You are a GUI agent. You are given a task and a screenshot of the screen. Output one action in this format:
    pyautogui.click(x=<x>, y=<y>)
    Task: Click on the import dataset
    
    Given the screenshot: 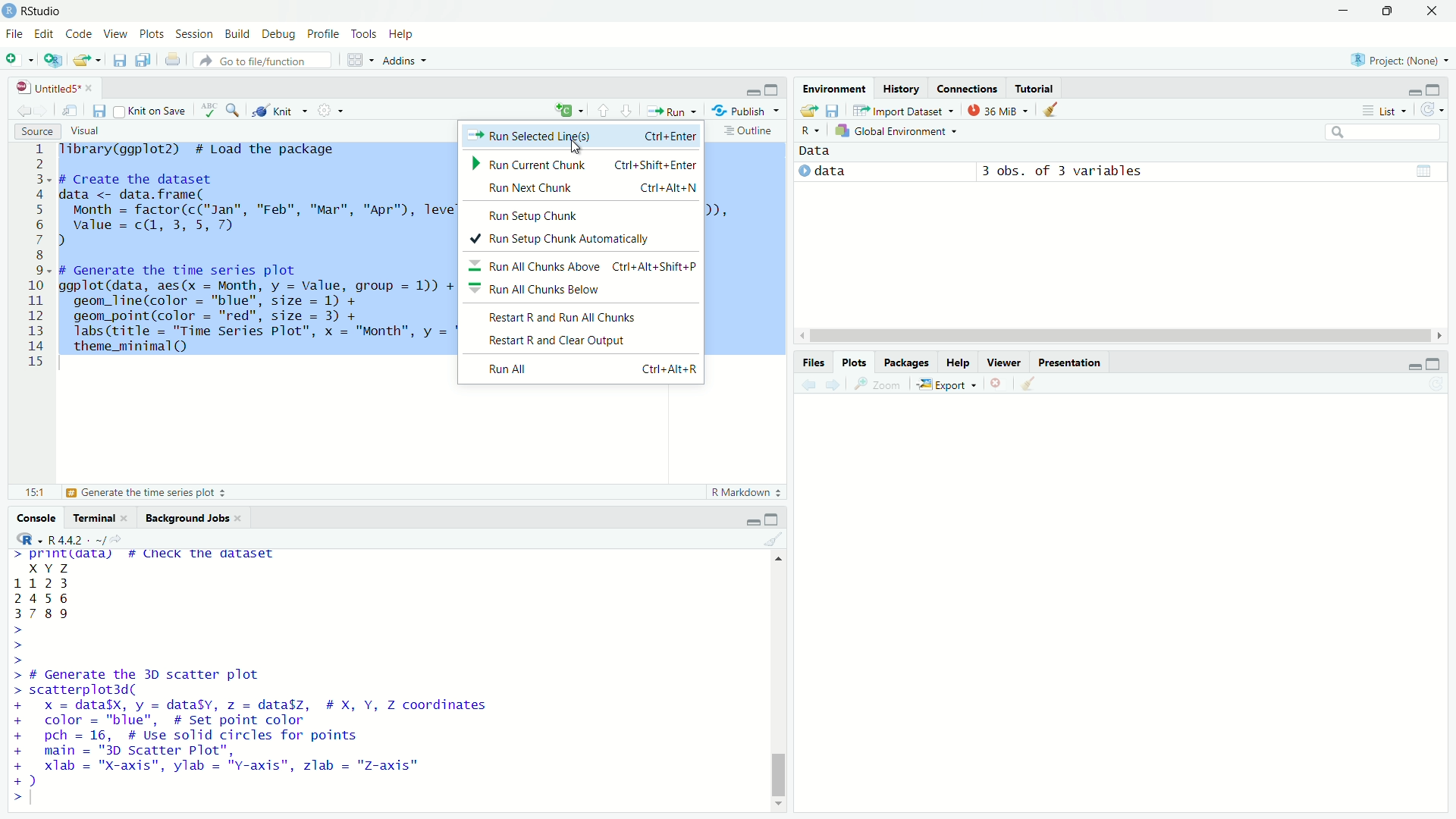 What is the action you would take?
    pyautogui.click(x=903, y=110)
    